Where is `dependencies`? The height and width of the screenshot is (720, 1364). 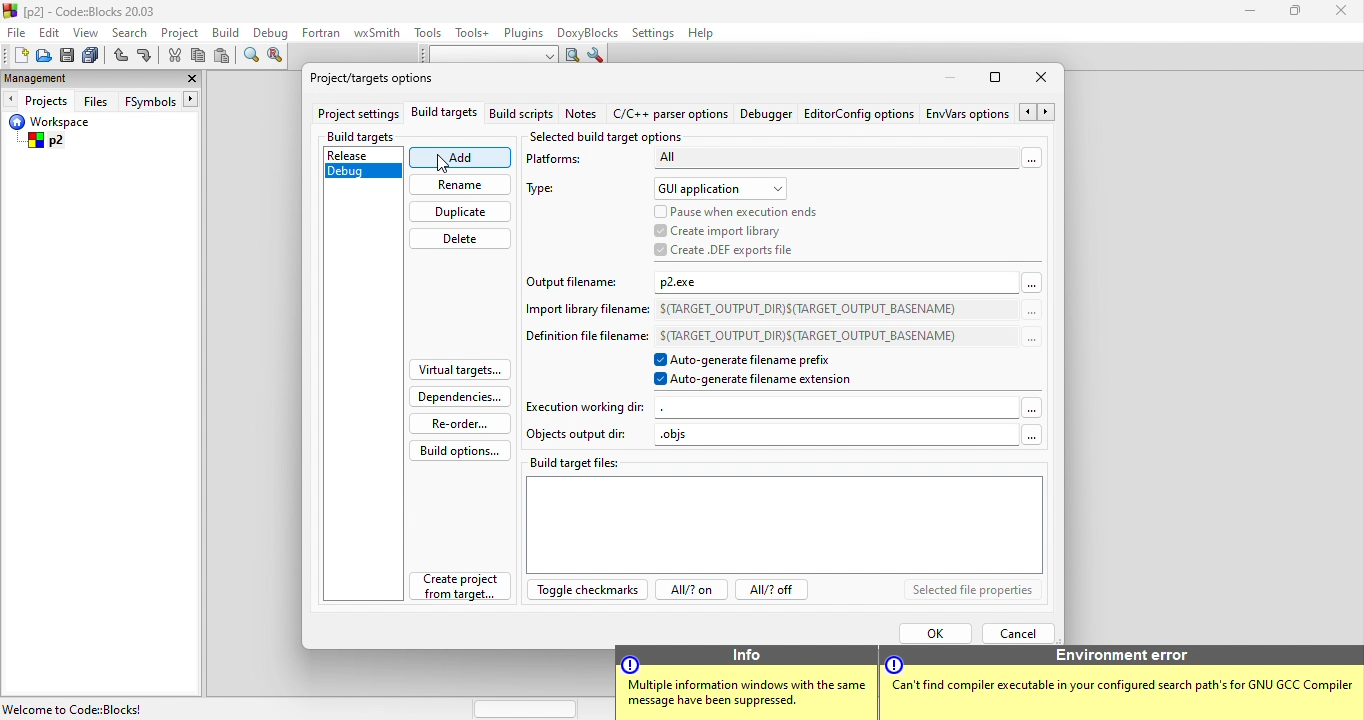
dependencies is located at coordinates (460, 395).